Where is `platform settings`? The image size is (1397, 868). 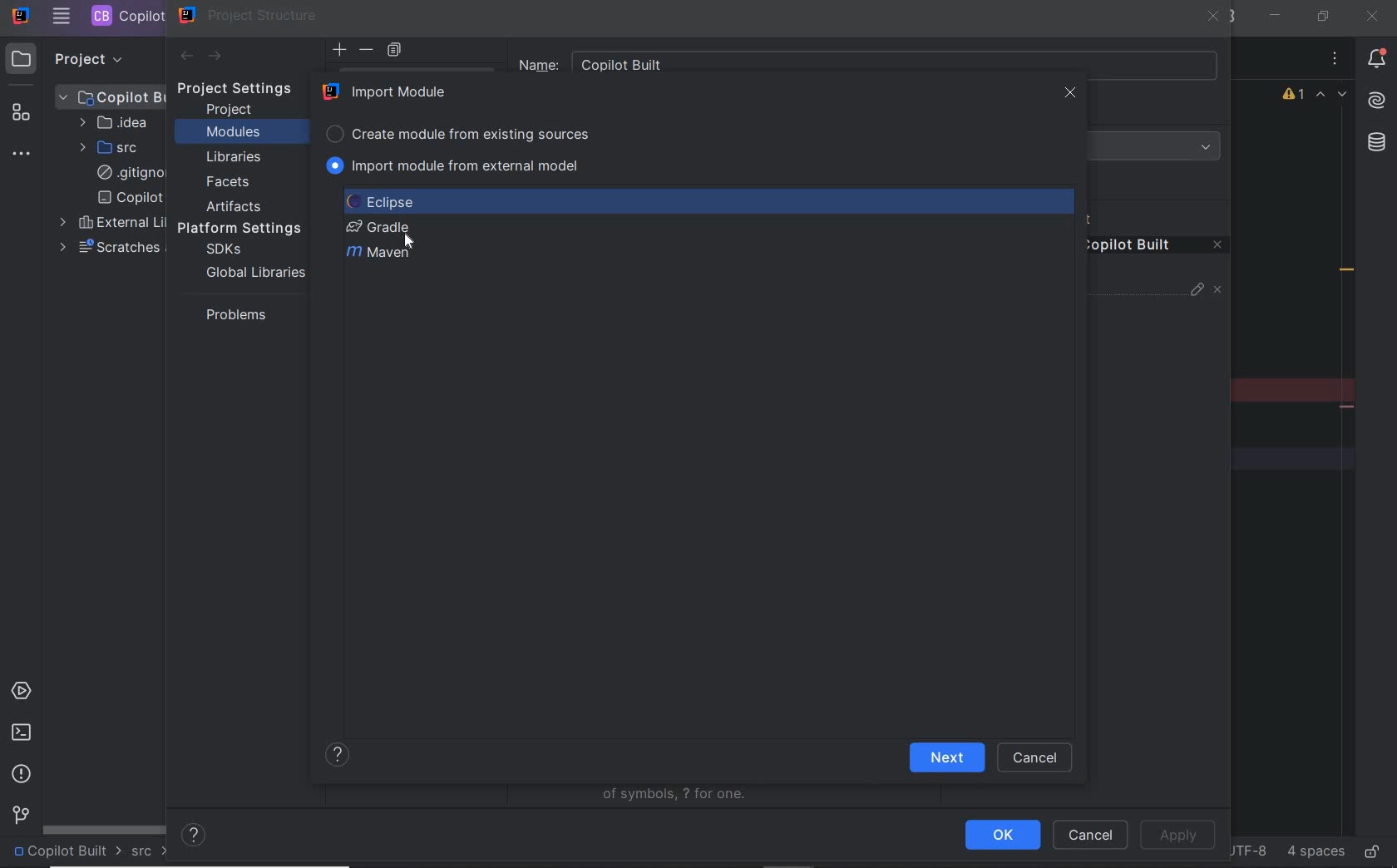
platform settings is located at coordinates (245, 229).